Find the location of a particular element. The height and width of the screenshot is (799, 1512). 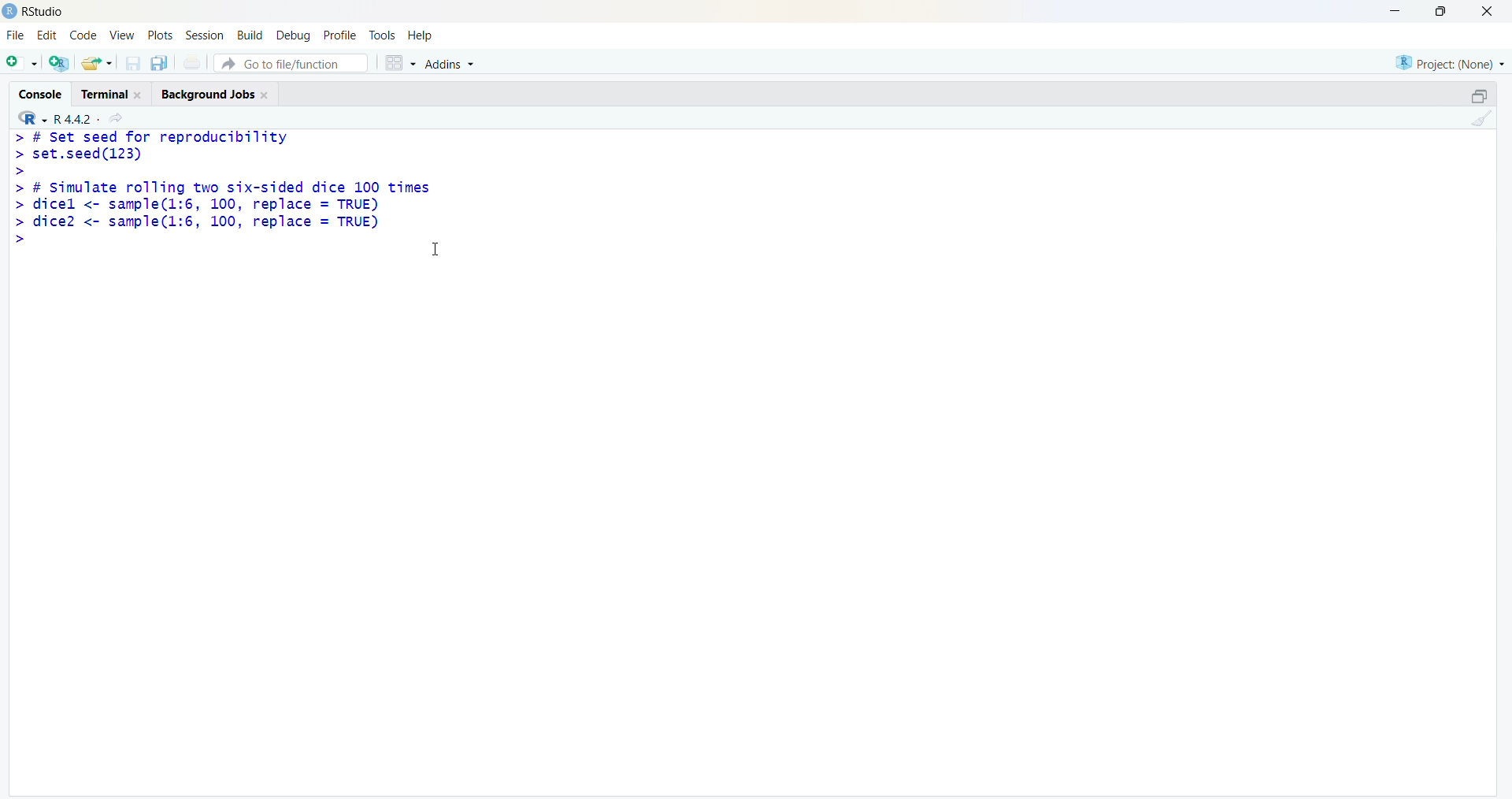

project (none) is located at coordinates (1450, 65).